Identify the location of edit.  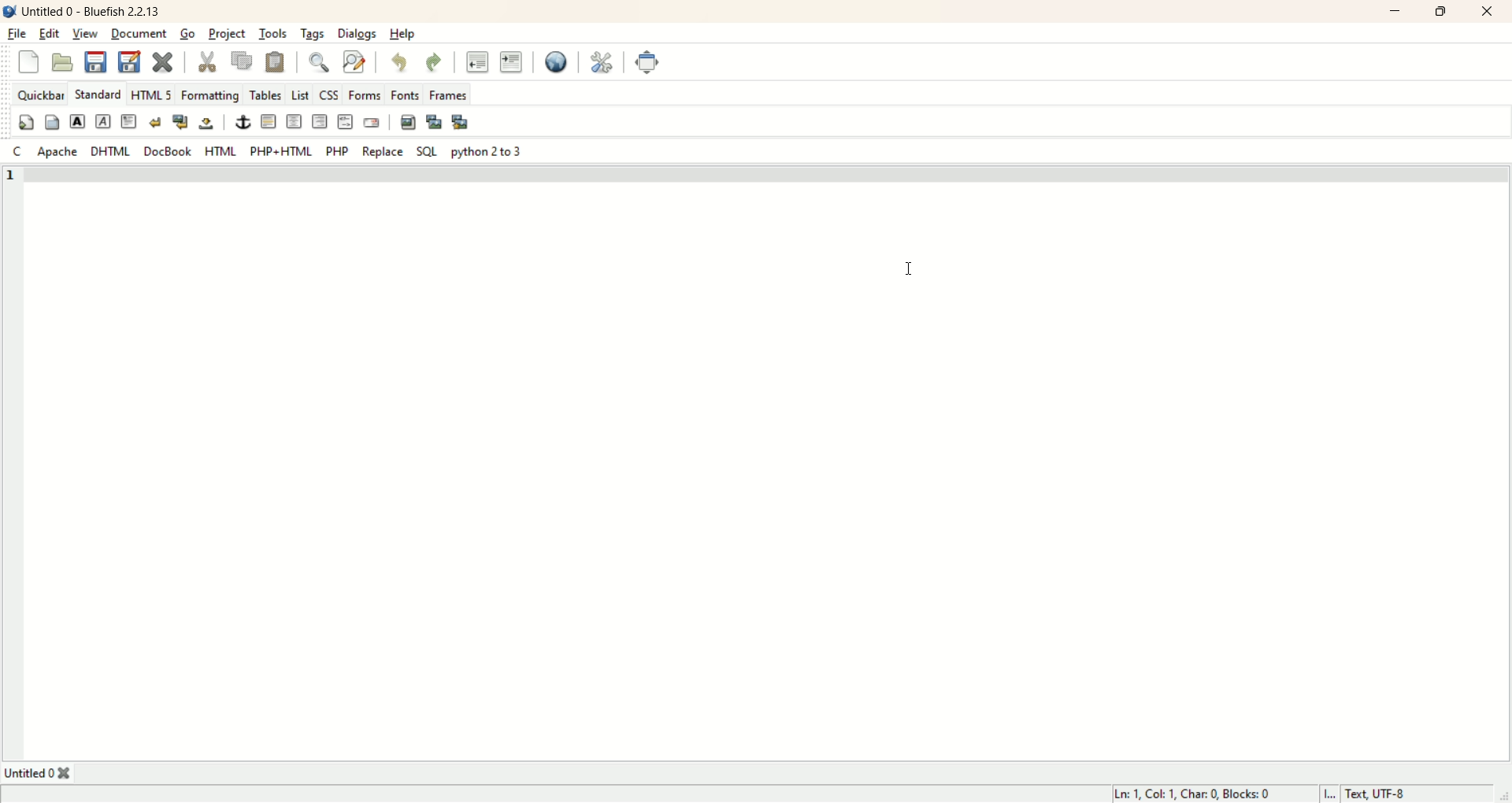
(48, 33).